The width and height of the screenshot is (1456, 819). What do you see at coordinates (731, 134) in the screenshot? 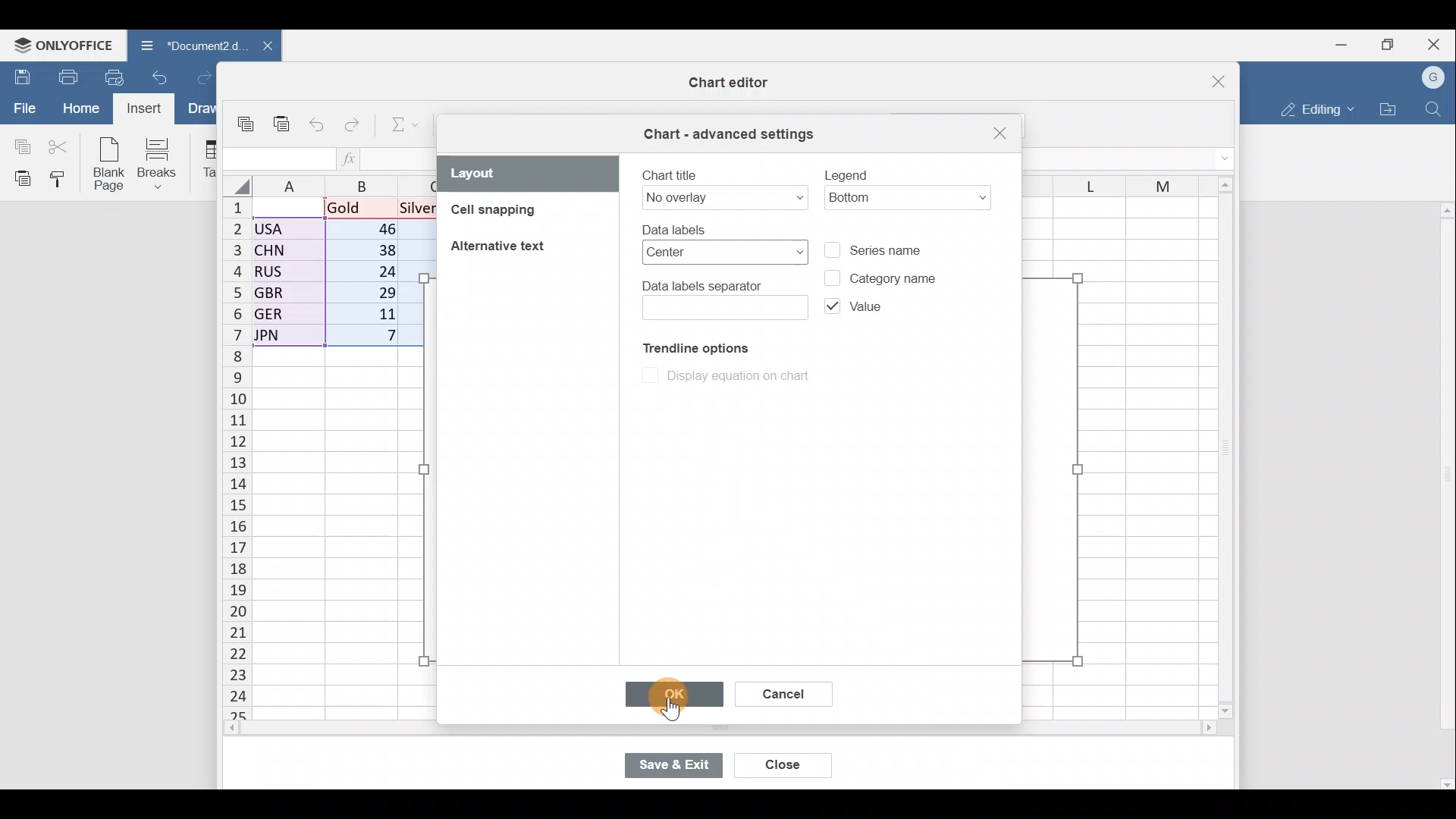
I see `Chart advanced settings` at bounding box center [731, 134].